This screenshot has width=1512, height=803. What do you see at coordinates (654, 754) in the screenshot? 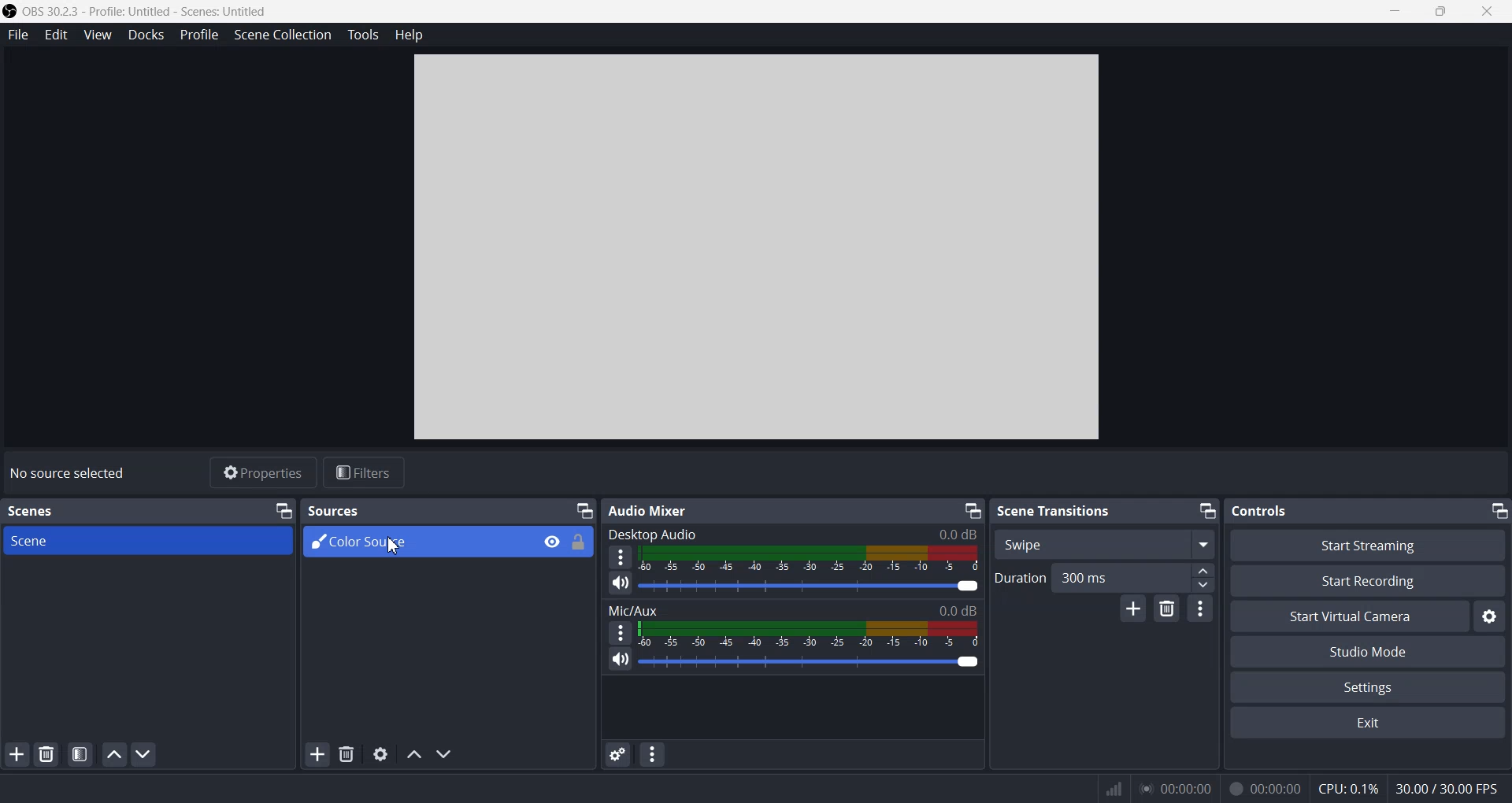
I see `Audio mixer menu` at bounding box center [654, 754].